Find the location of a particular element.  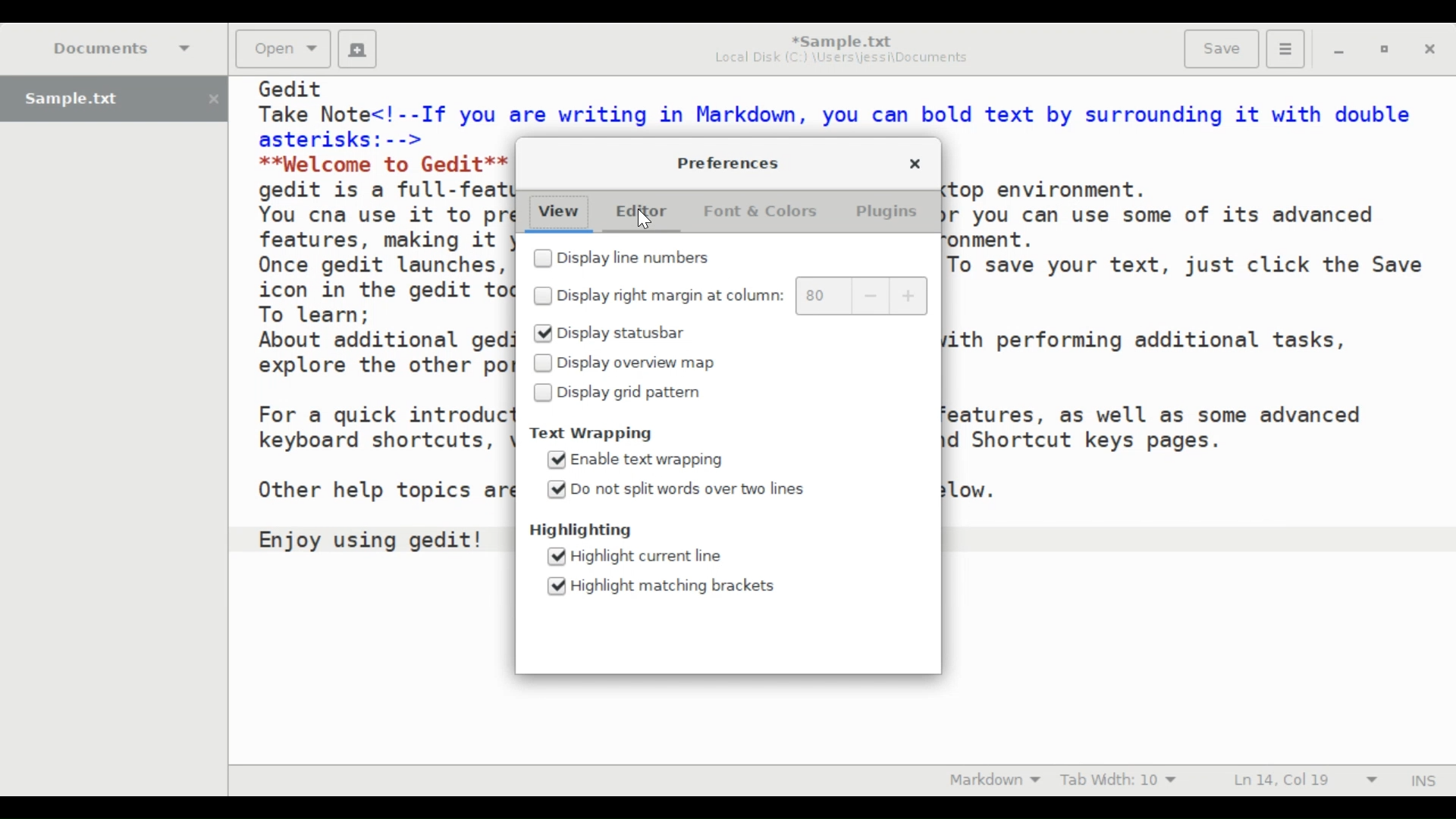

(un)select Highlight matching brackets is located at coordinates (666, 585).